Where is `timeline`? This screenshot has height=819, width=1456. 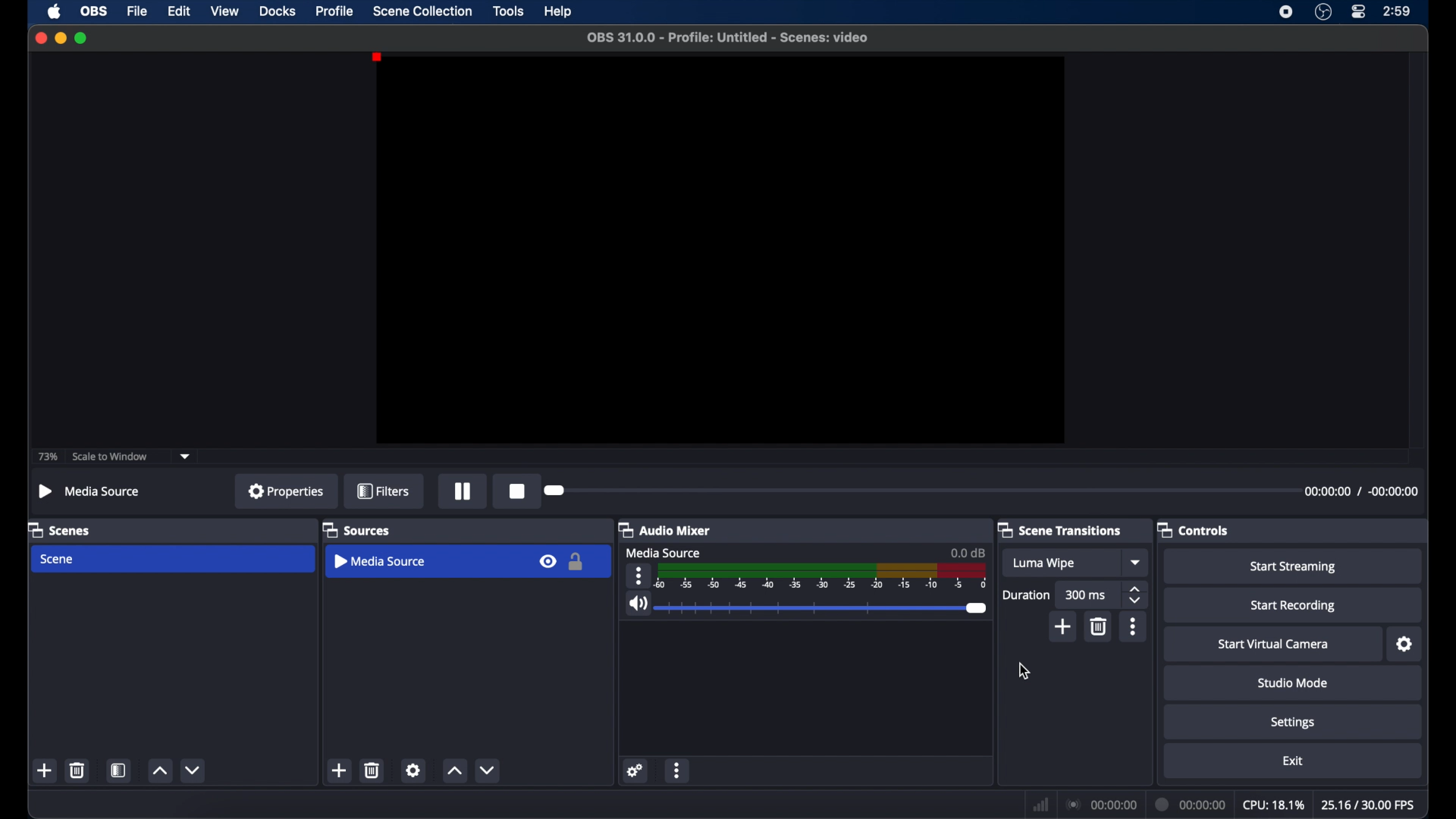 timeline is located at coordinates (823, 578).